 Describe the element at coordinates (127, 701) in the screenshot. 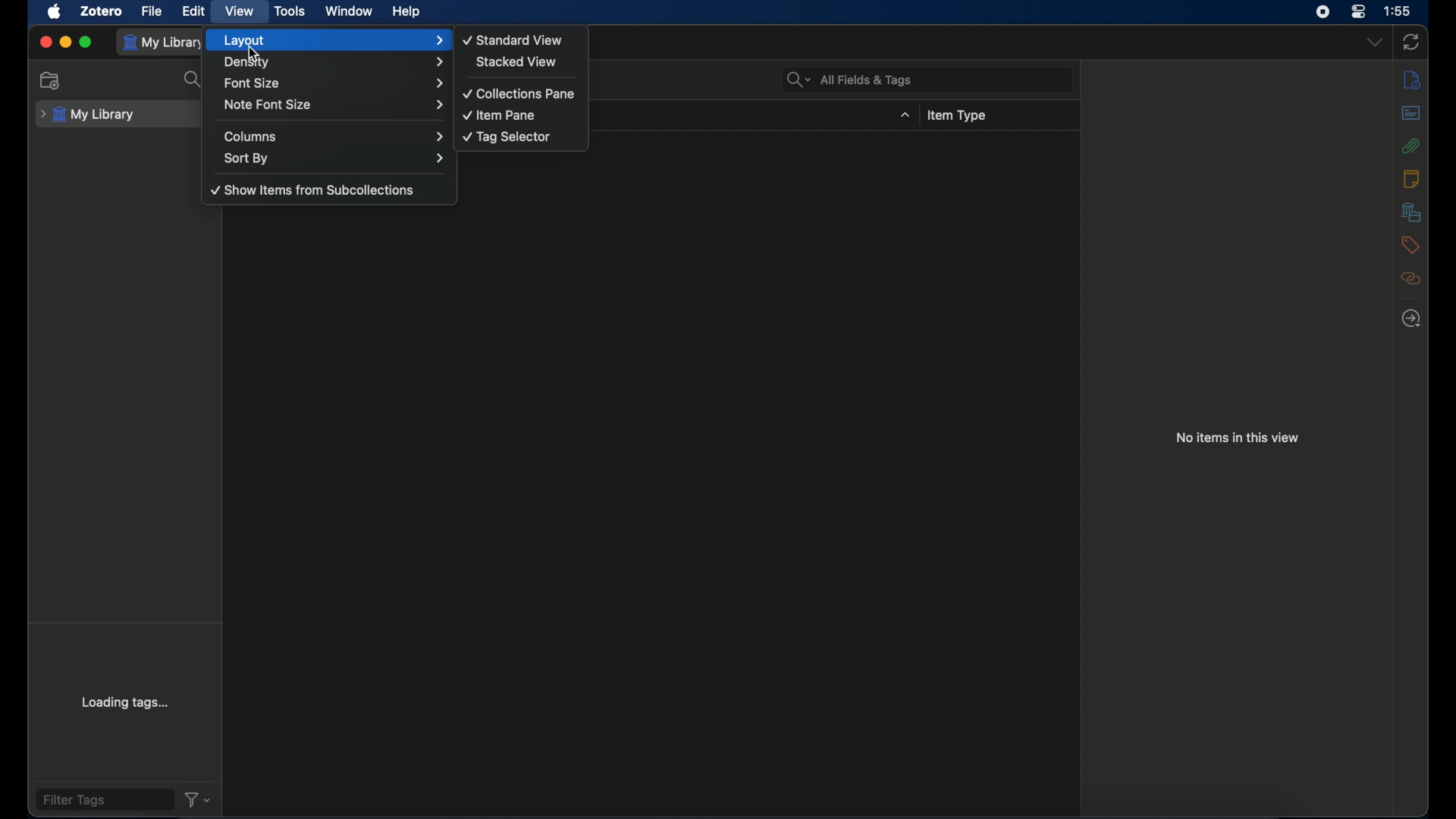

I see `loading tags` at that location.